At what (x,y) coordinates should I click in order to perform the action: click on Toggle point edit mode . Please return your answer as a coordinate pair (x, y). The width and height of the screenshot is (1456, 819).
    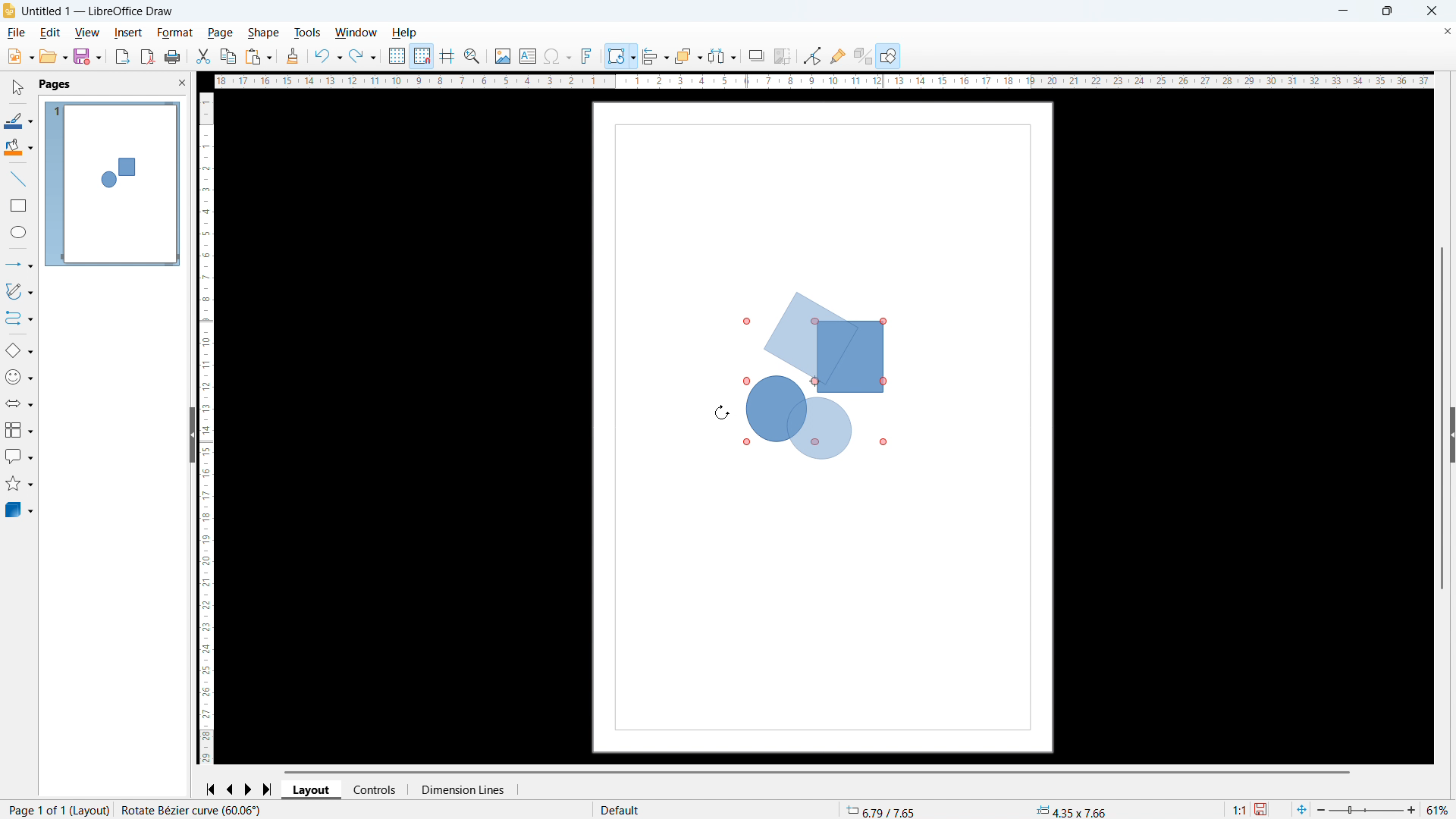
    Looking at the image, I should click on (811, 55).